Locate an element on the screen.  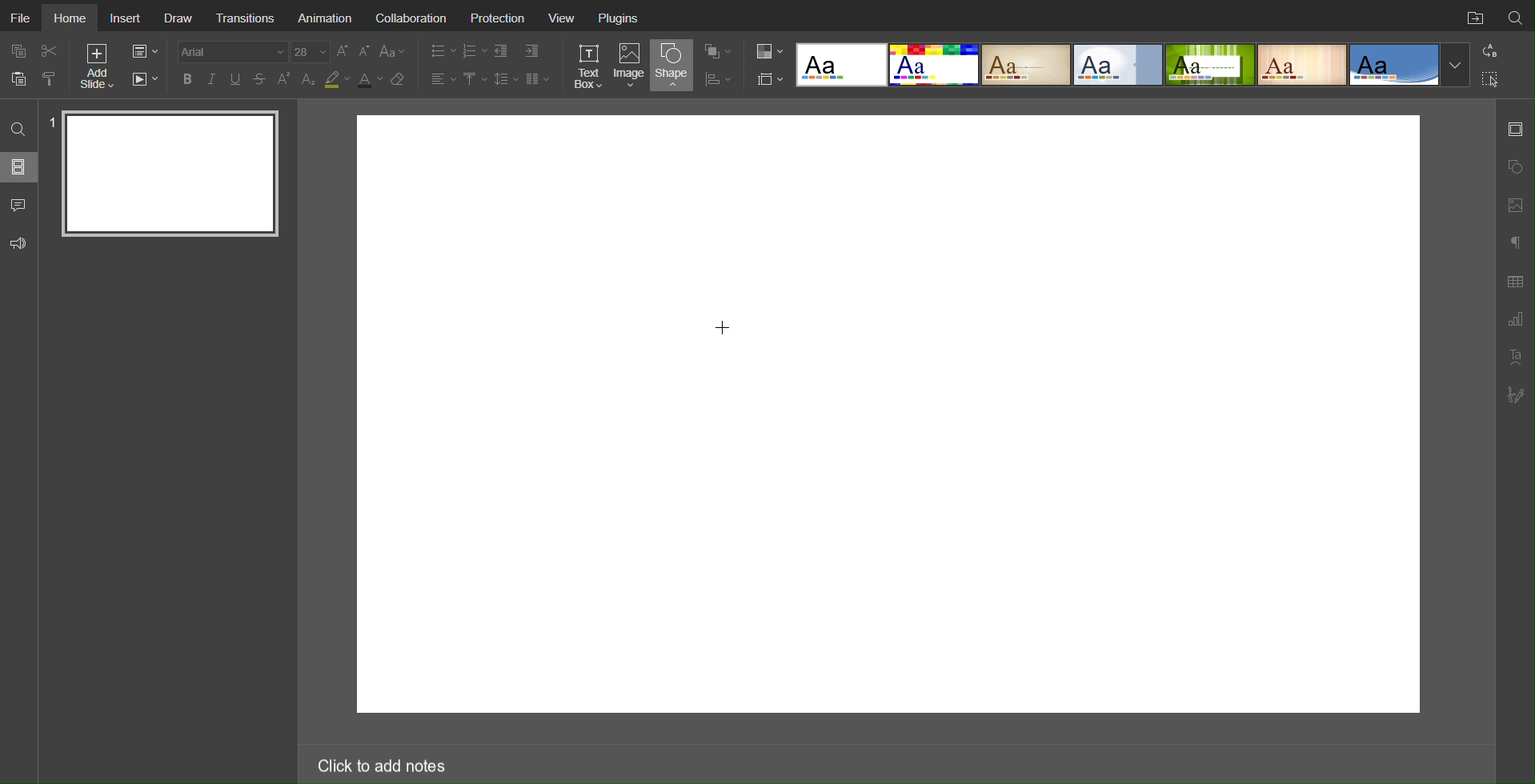
Strikethrough is located at coordinates (260, 79).